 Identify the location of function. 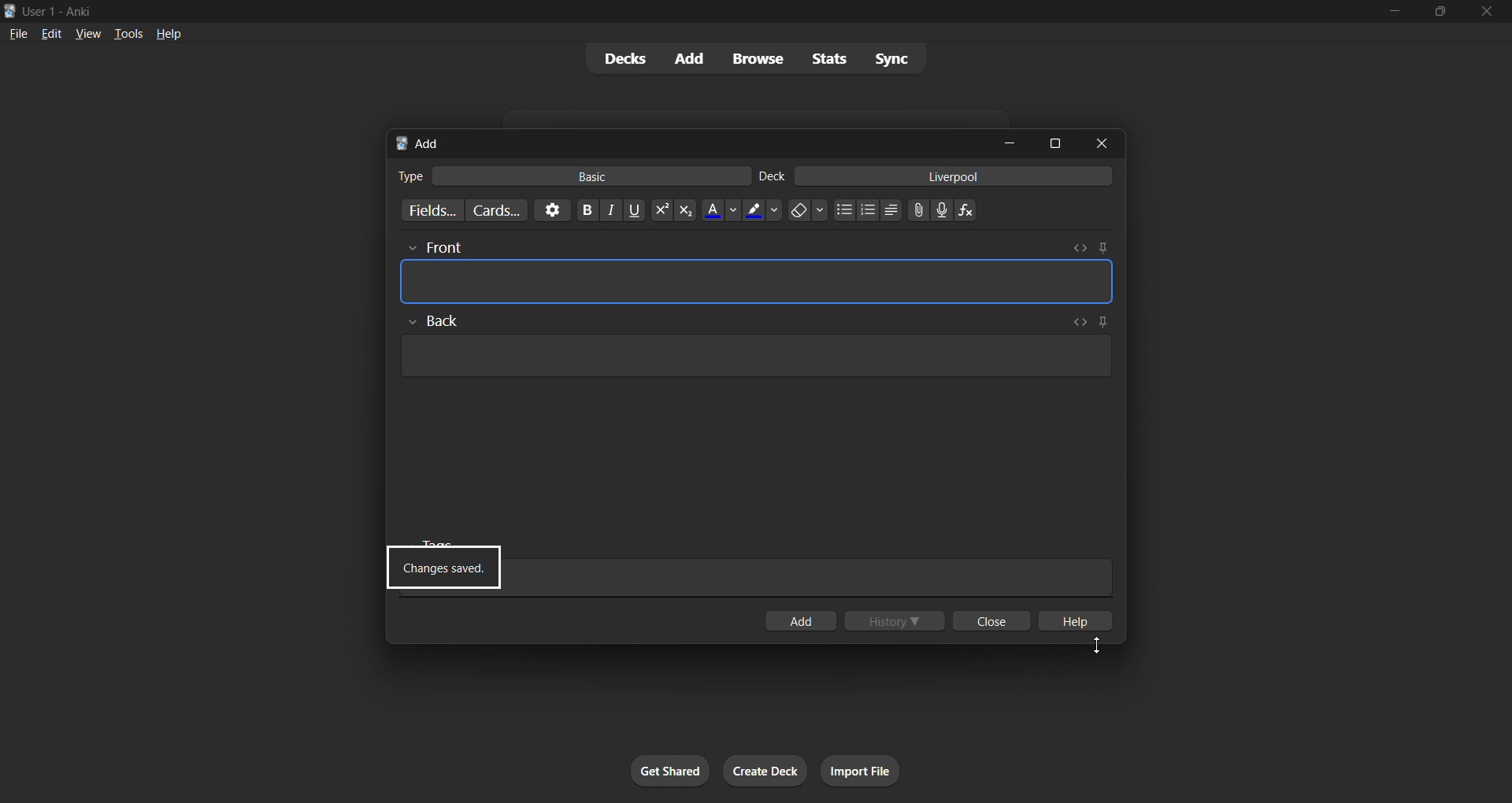
(970, 211).